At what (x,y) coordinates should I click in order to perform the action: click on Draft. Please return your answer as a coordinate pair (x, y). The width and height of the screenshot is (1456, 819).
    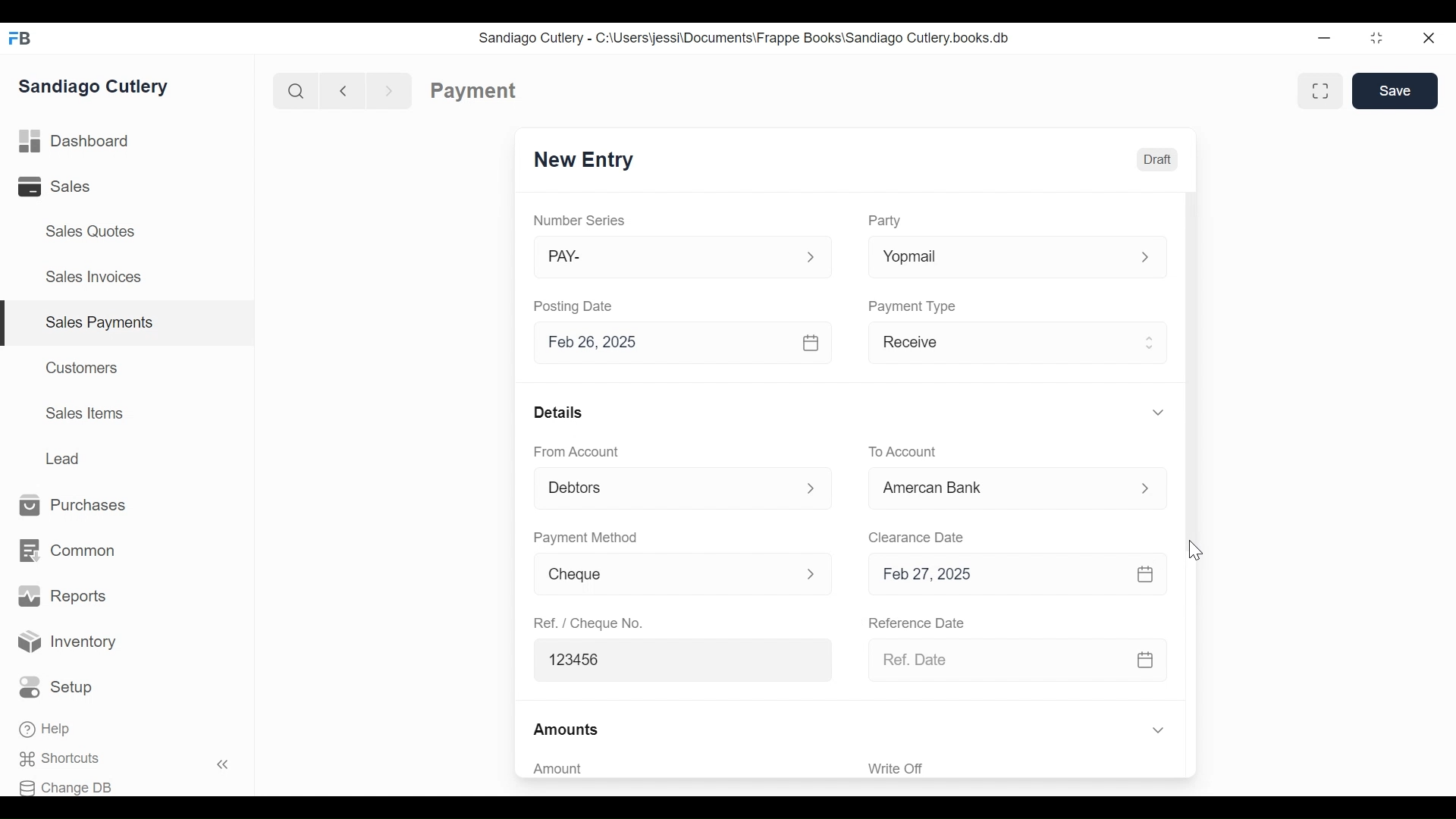
    Looking at the image, I should click on (1156, 158).